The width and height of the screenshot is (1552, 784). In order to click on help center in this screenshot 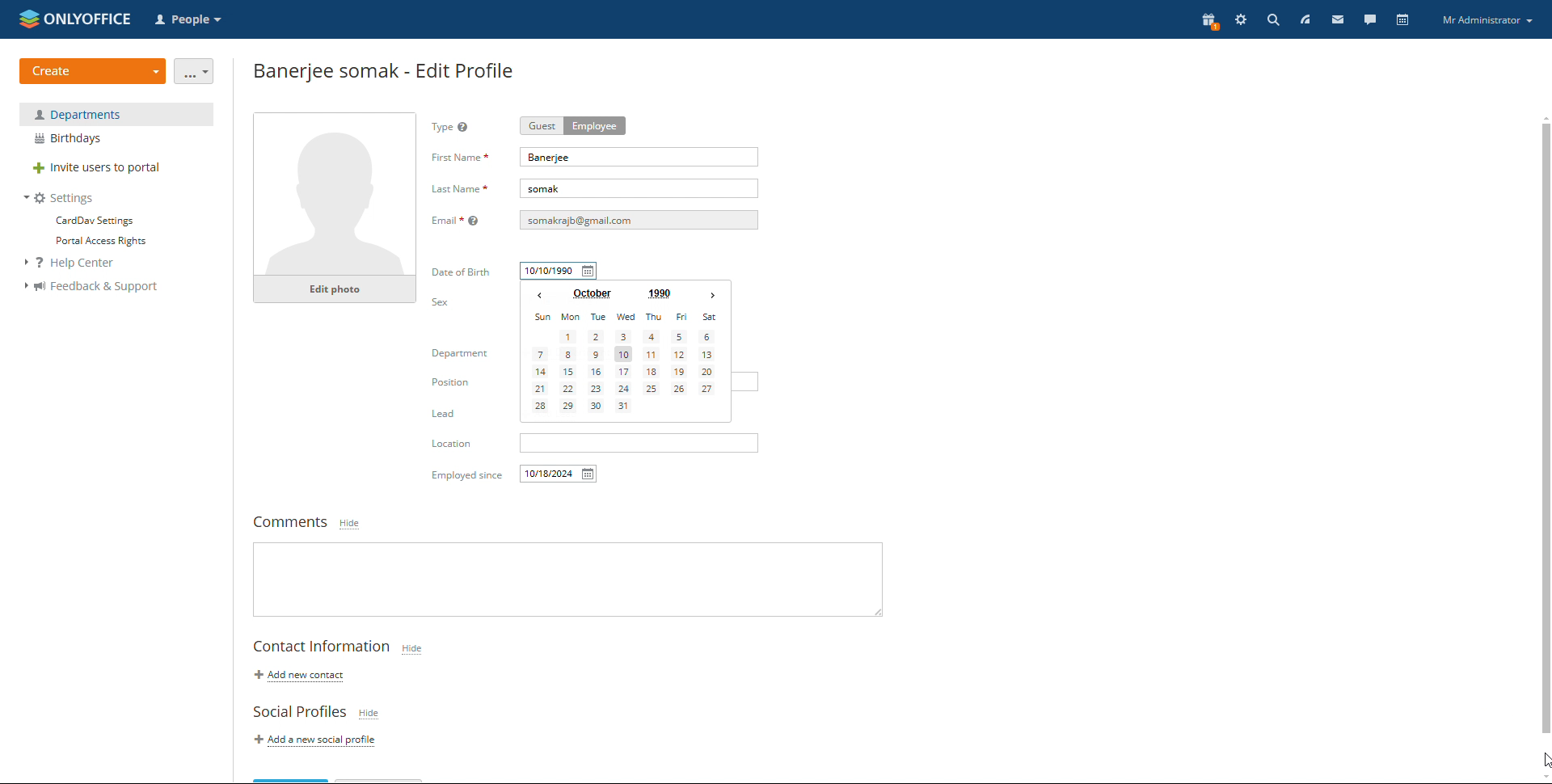, I will do `click(78, 263)`.